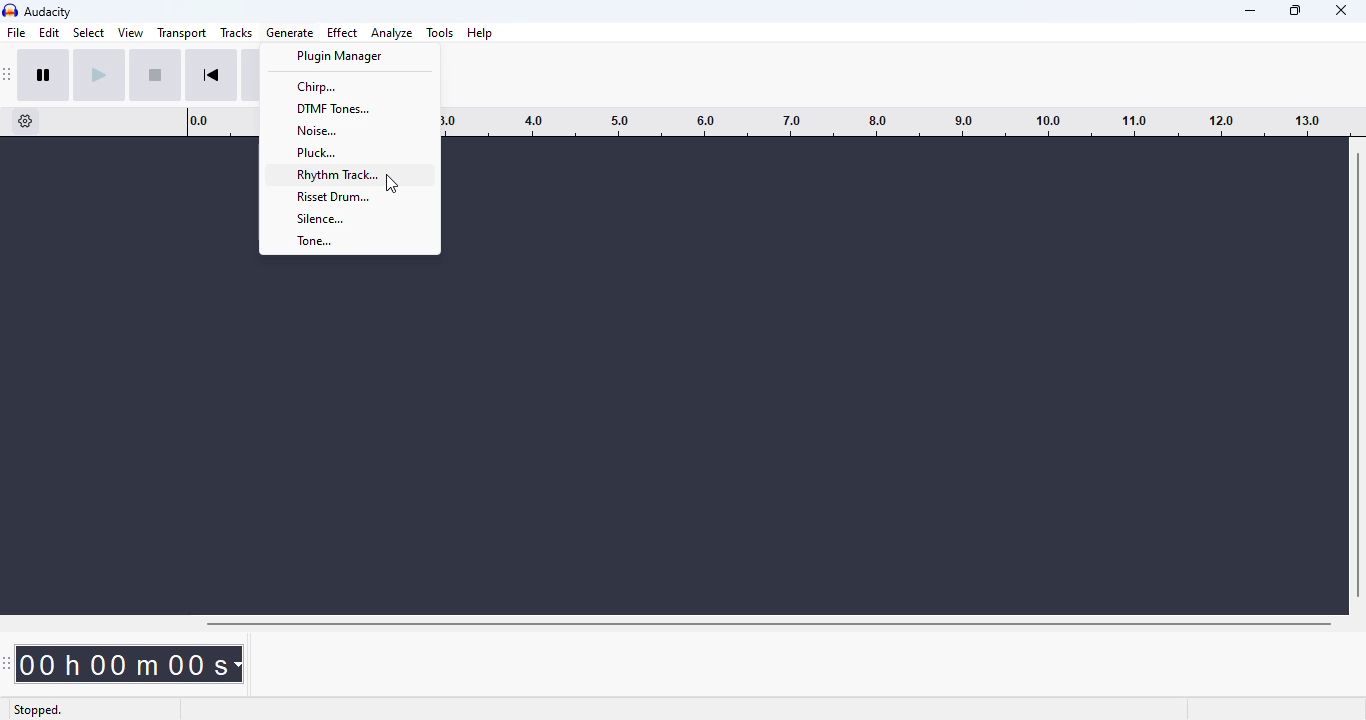 Image resolution: width=1366 pixels, height=720 pixels. I want to click on logo, so click(10, 10).